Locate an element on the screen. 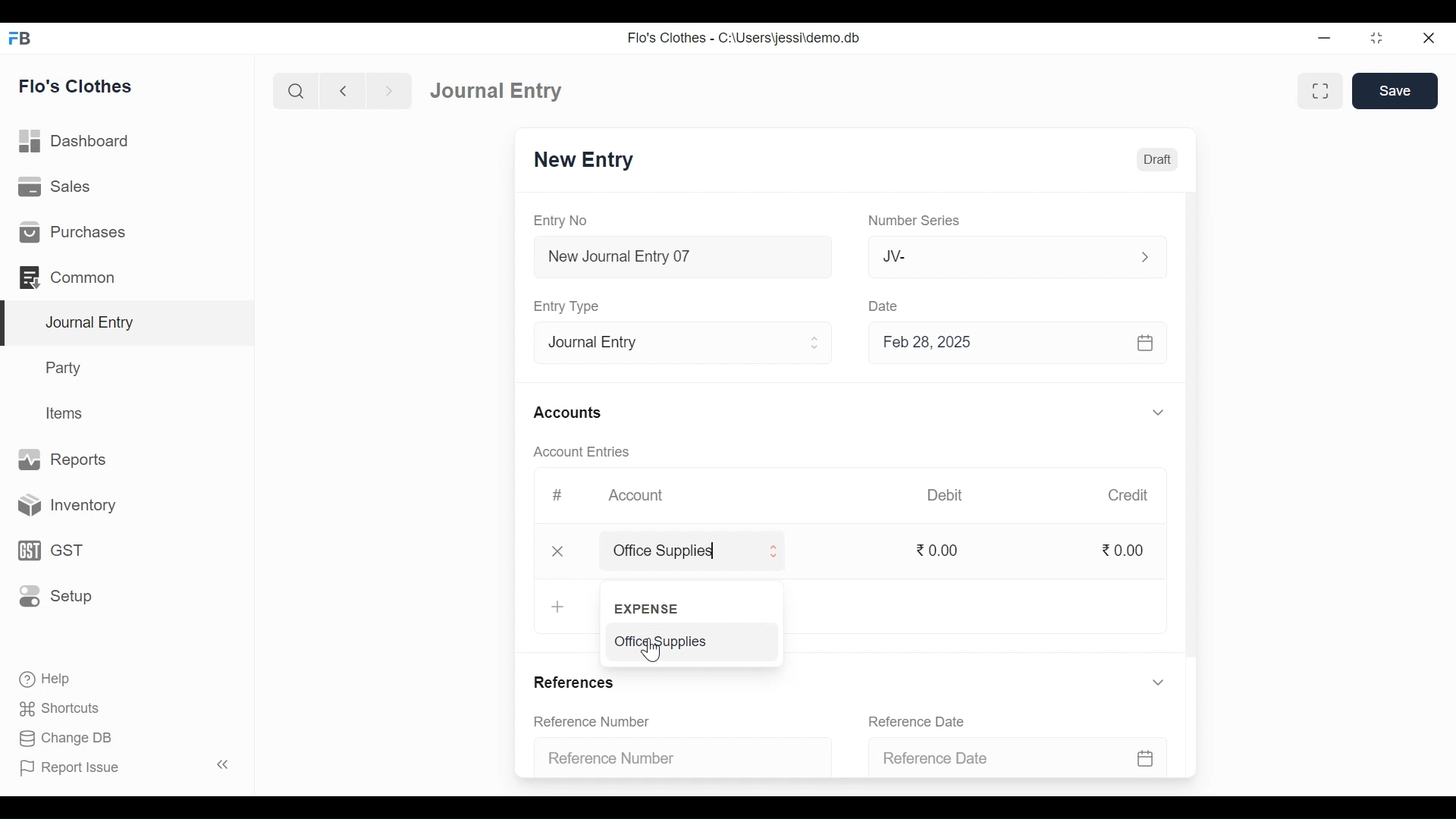 The height and width of the screenshot is (819, 1456). Office Supplies is located at coordinates (658, 642).